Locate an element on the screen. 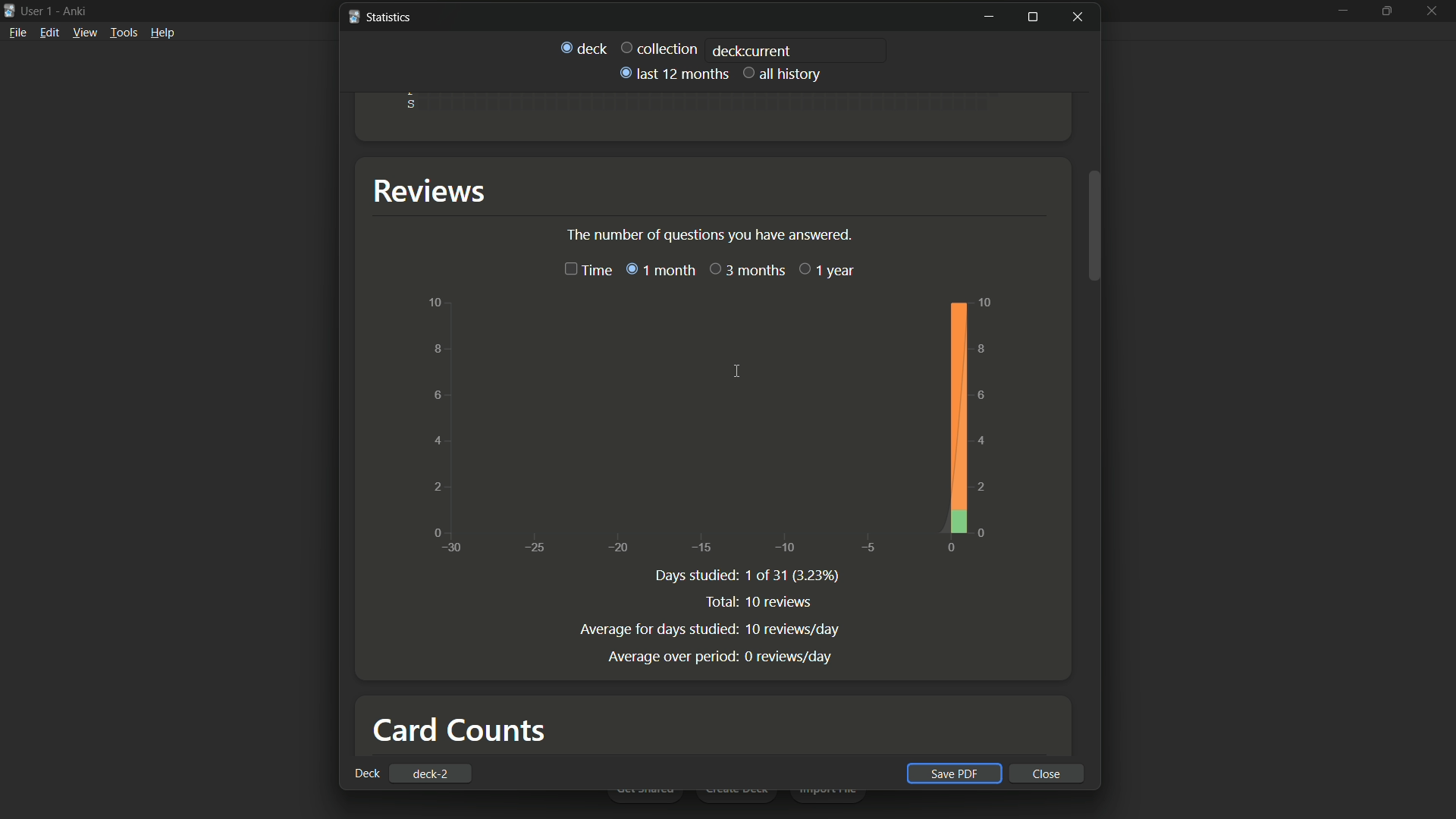 This screenshot has width=1456, height=819. Maximize is located at coordinates (1389, 19).